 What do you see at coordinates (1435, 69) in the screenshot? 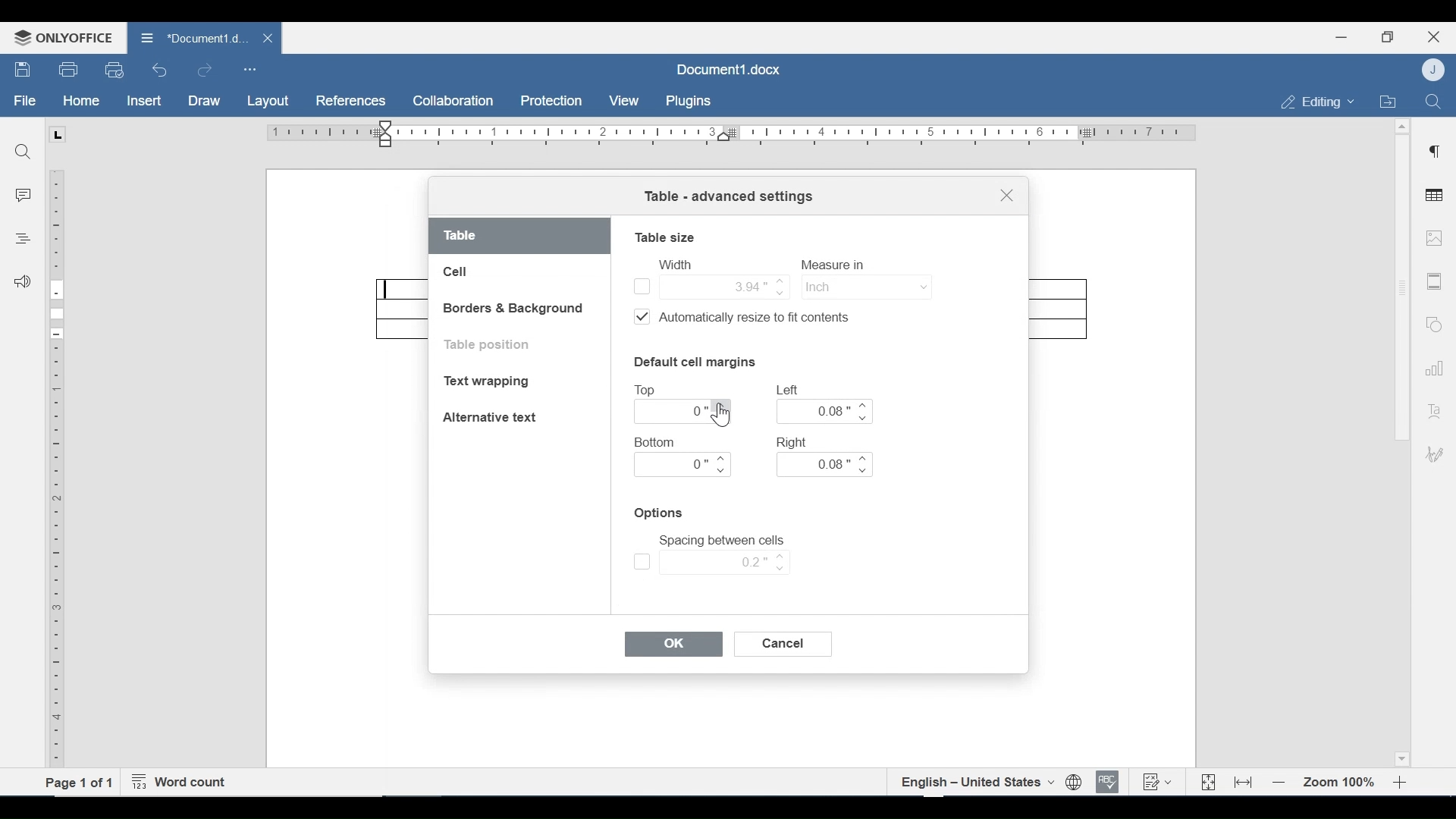
I see `User` at bounding box center [1435, 69].